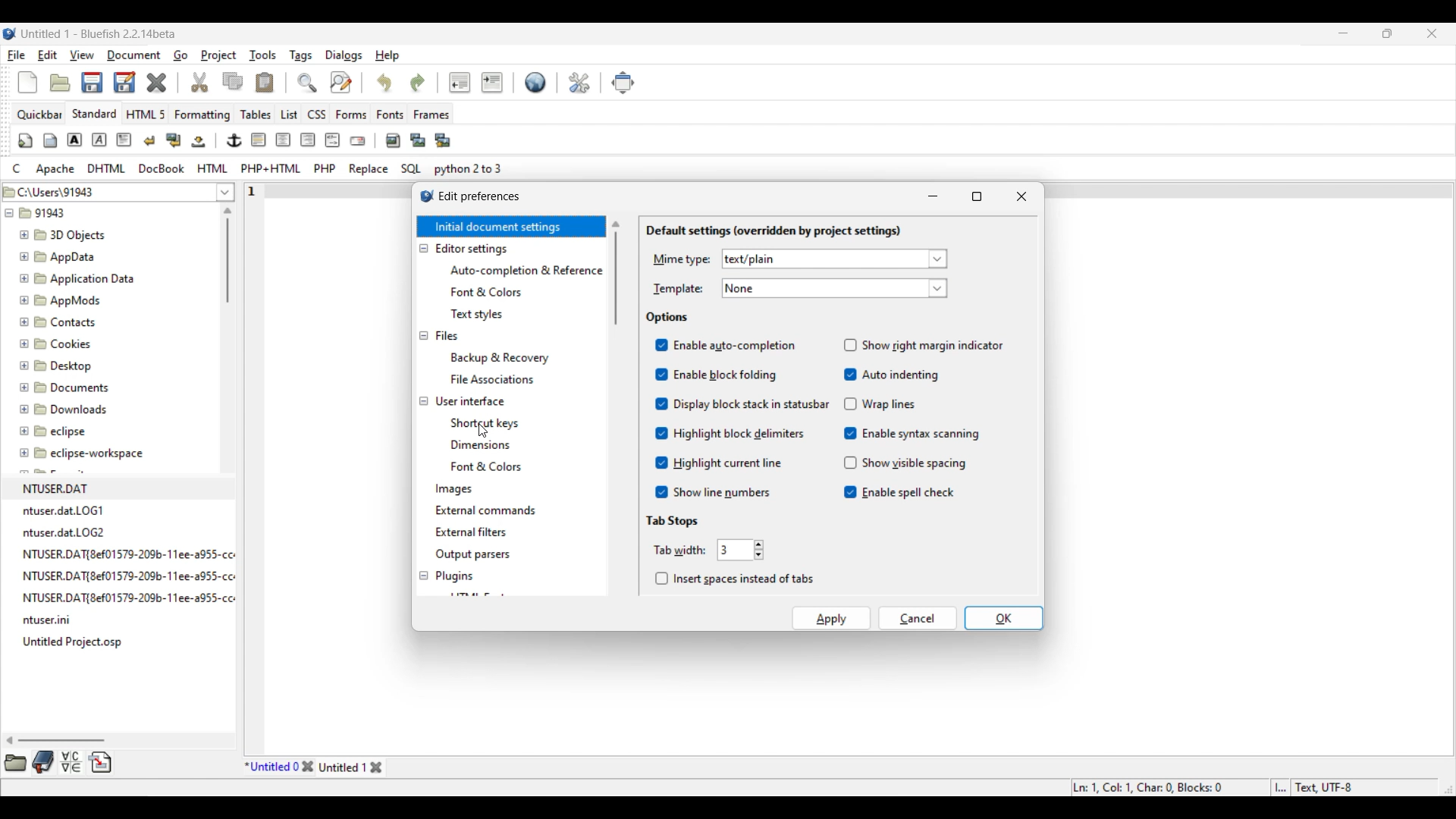  Describe the element at coordinates (263, 55) in the screenshot. I see `Tools menu` at that location.